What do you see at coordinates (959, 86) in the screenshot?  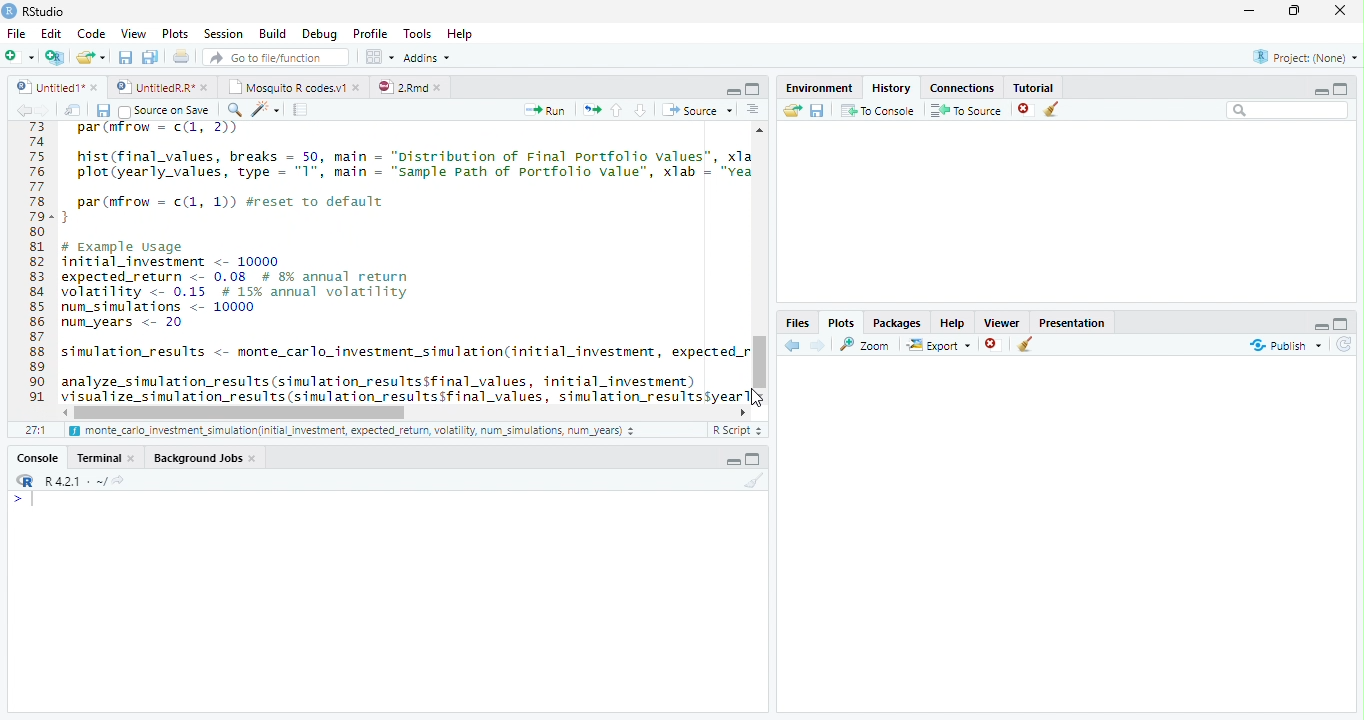 I see `‘Connections` at bounding box center [959, 86].